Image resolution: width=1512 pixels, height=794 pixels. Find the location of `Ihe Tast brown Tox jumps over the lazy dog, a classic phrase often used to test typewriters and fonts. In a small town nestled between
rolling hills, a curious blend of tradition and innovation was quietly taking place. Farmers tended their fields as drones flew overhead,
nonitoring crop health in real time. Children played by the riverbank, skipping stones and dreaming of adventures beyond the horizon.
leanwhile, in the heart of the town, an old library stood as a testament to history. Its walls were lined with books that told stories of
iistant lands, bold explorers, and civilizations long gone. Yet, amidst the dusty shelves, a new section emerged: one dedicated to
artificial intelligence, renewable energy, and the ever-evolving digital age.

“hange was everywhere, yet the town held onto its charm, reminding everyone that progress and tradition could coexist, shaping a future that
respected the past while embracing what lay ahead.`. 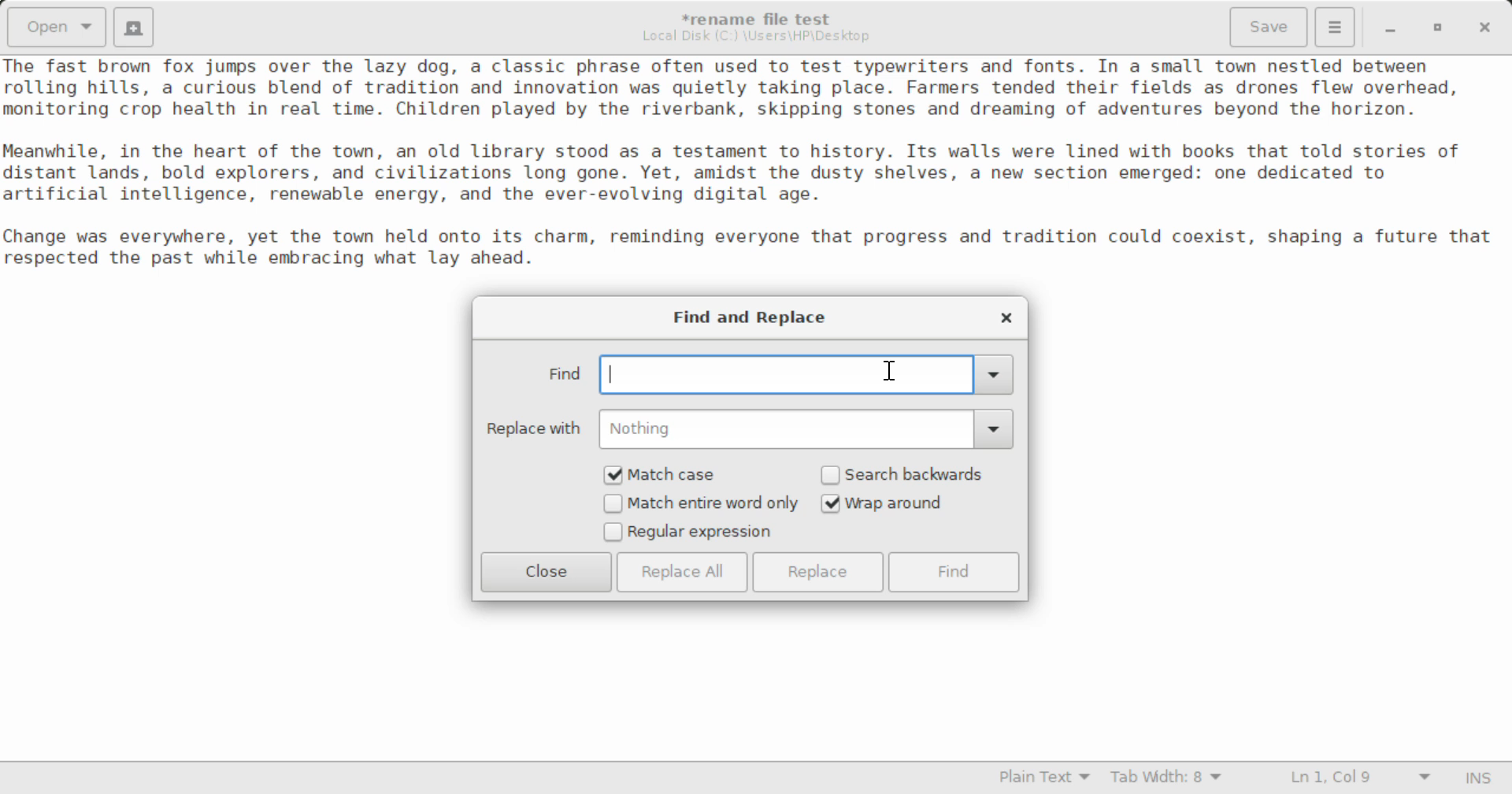

Ihe Tast brown Tox jumps over the lazy dog, a classic phrase often used to test typewriters and fonts. In a small town nestled between
rolling hills, a curious blend of tradition and innovation was quietly taking place. Farmers tended their fields as drones flew overhead,
nonitoring crop health in real time. Children played by the riverbank, skipping stones and dreaming of adventures beyond the horizon.
leanwhile, in the heart of the town, an old library stood as a testament to history. Its walls were lined with books that told stories of
iistant lands, bold explorers, and civilizations long gone. Yet, amidst the dusty shelves, a new section emerged: one dedicated to
artificial intelligence, renewable energy, and the ever-evolving digital age.

“hange was everywhere, yet the town held onto its charm, reminding everyone that progress and tradition could coexist, shaping a future that
respected the past while embracing what lay ahead. is located at coordinates (756, 165).